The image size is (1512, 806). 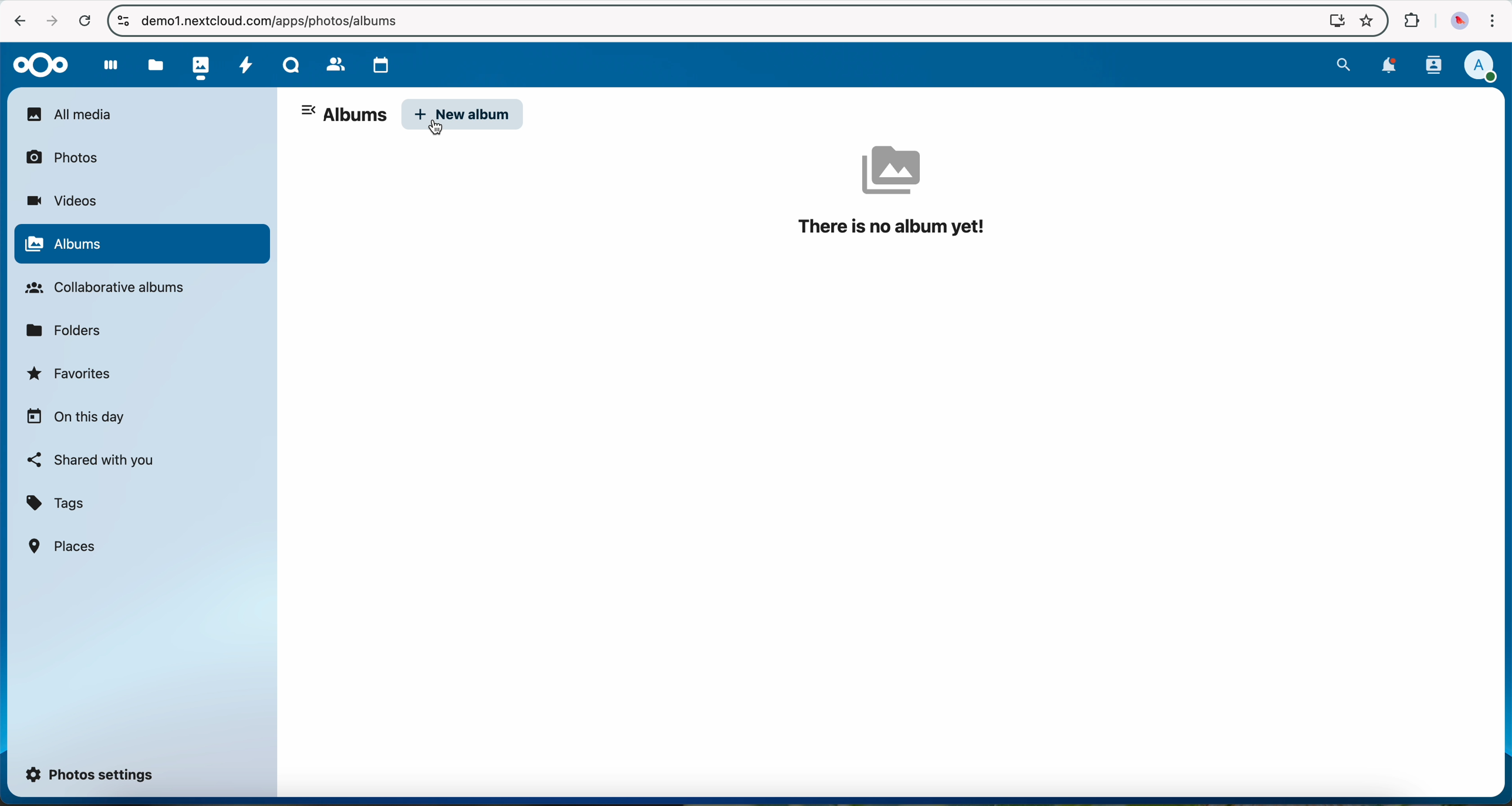 I want to click on activity, so click(x=245, y=63).